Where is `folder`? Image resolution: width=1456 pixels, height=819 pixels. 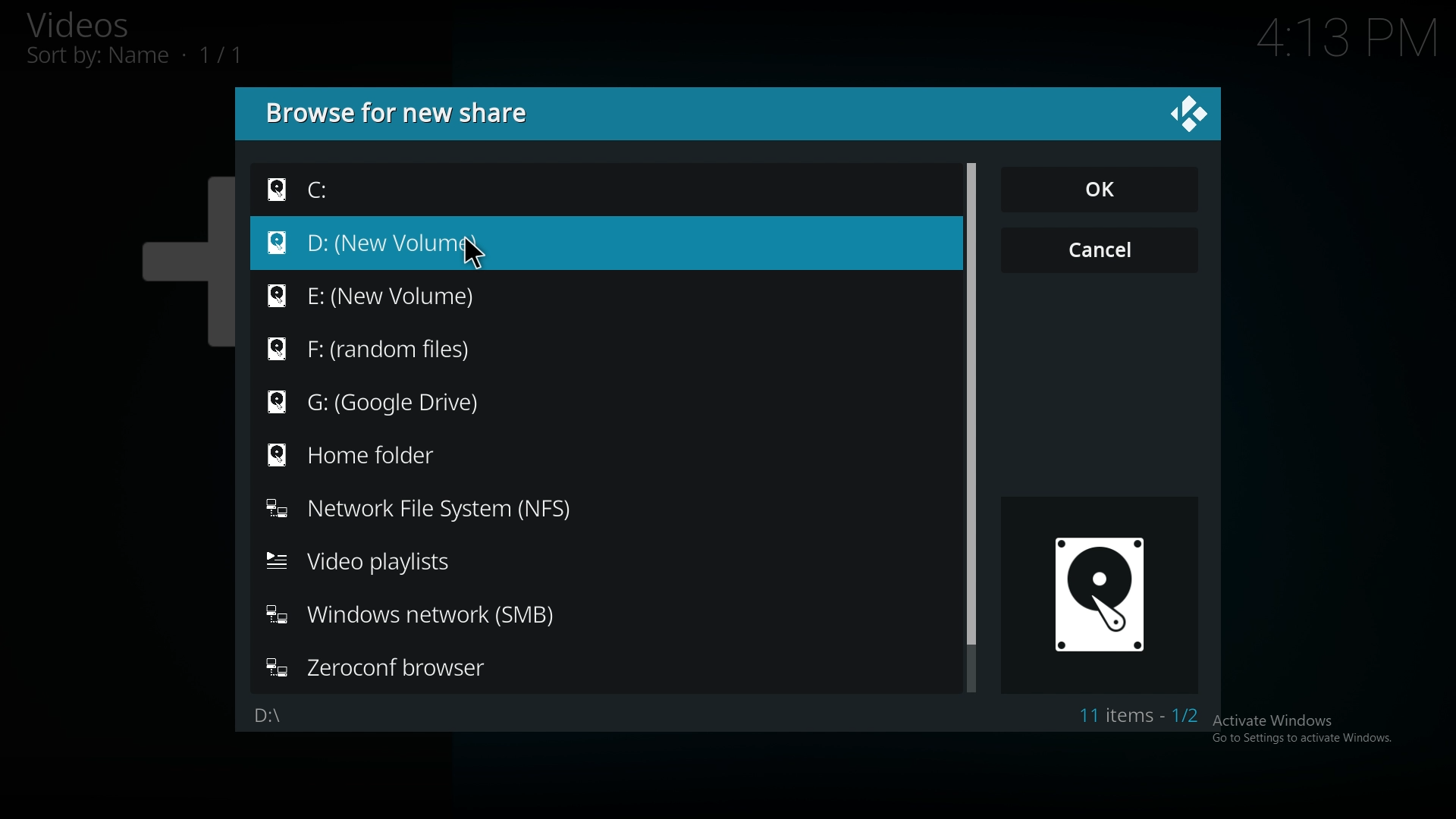
folder is located at coordinates (380, 190).